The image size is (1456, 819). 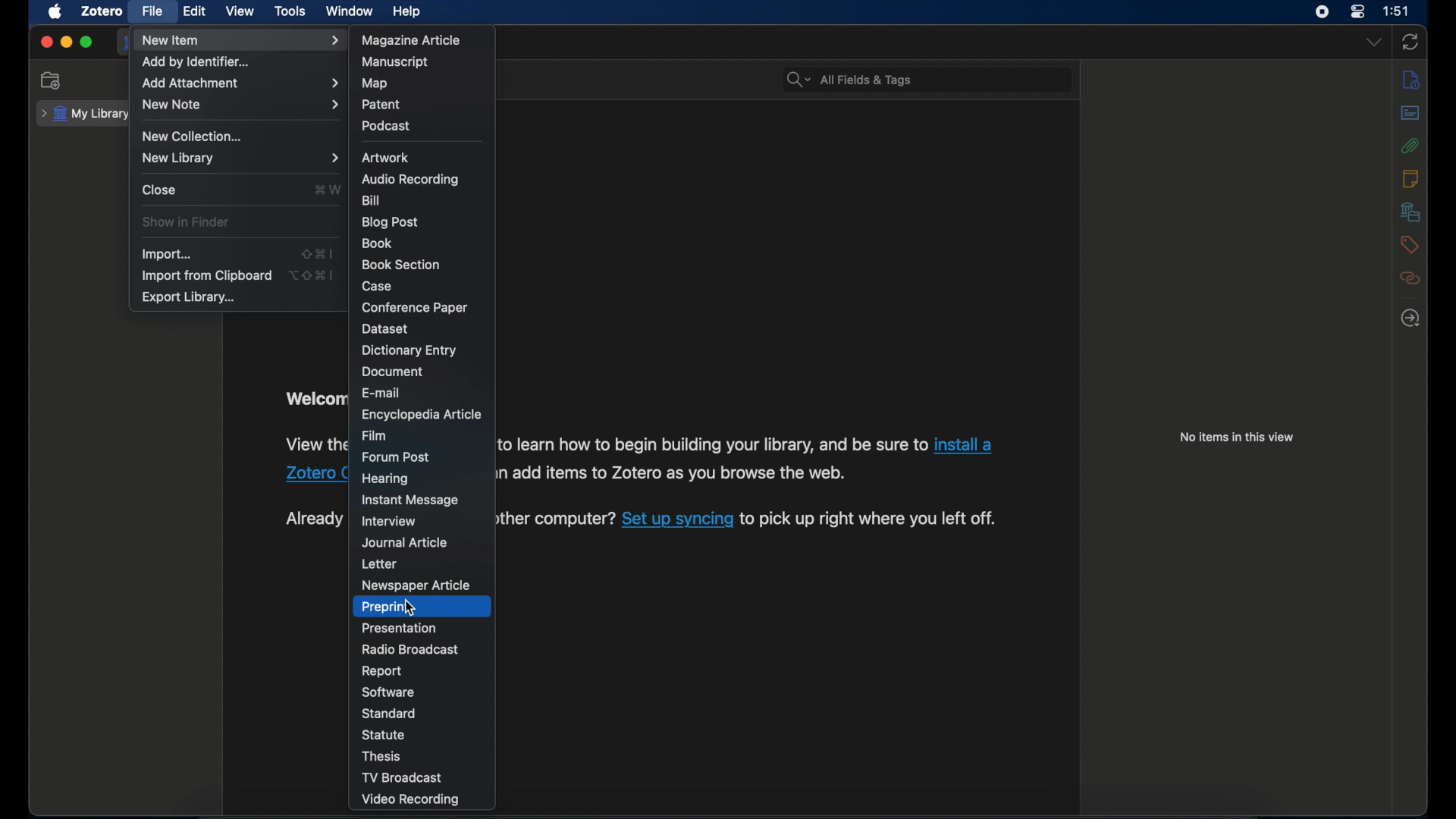 I want to click on dictionary entry, so click(x=409, y=350).